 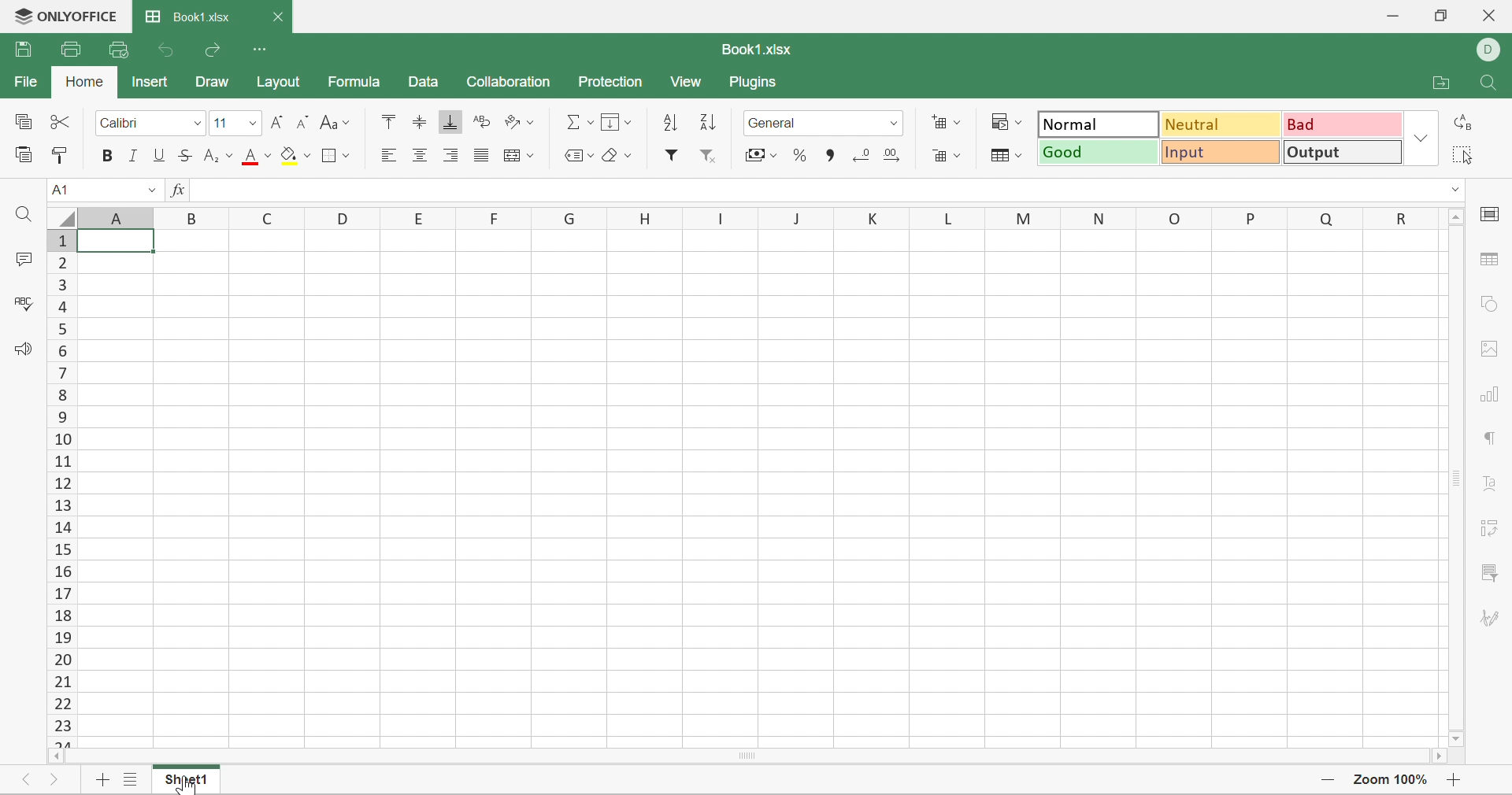 What do you see at coordinates (579, 124) in the screenshot?
I see `Summation` at bounding box center [579, 124].